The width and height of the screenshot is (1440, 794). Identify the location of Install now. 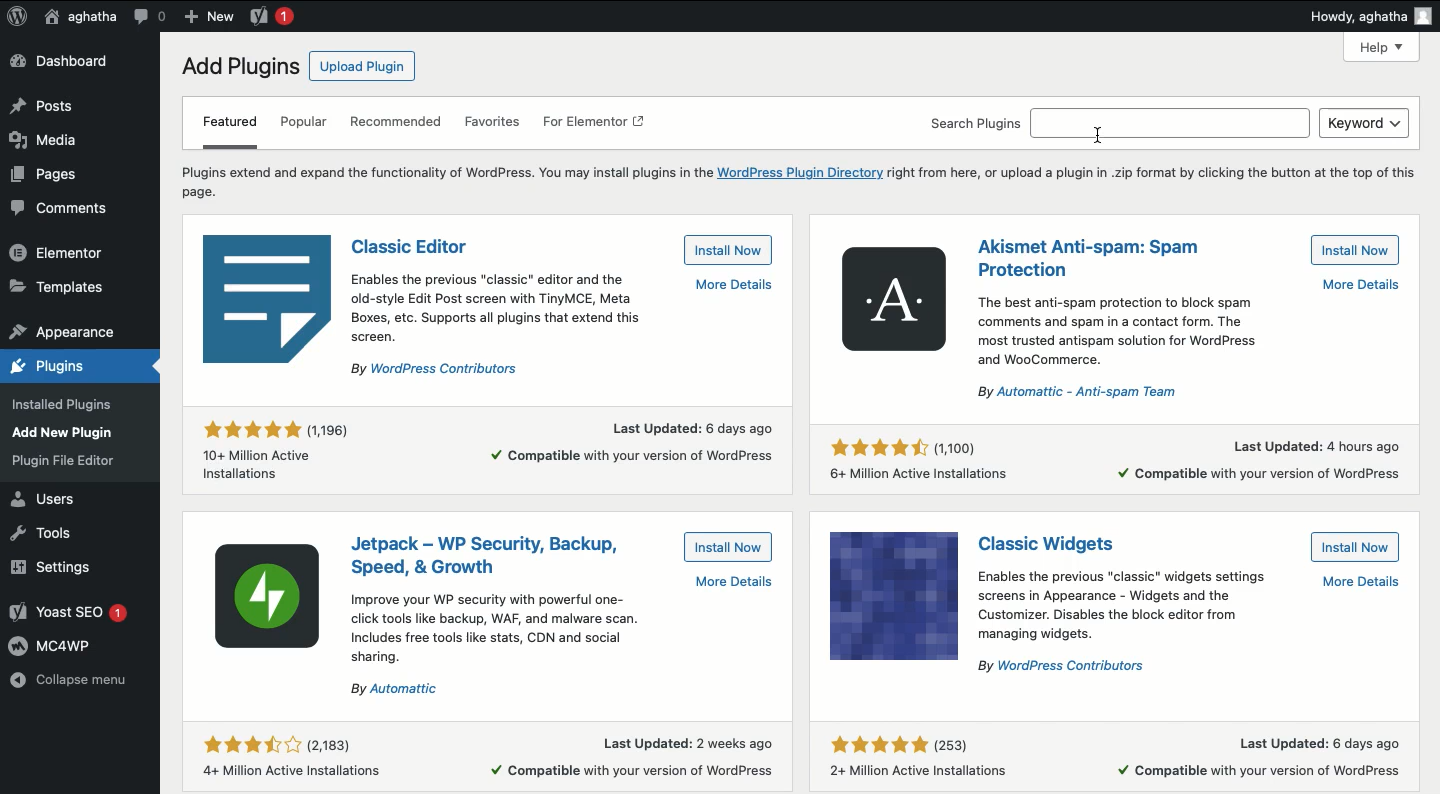
(728, 546).